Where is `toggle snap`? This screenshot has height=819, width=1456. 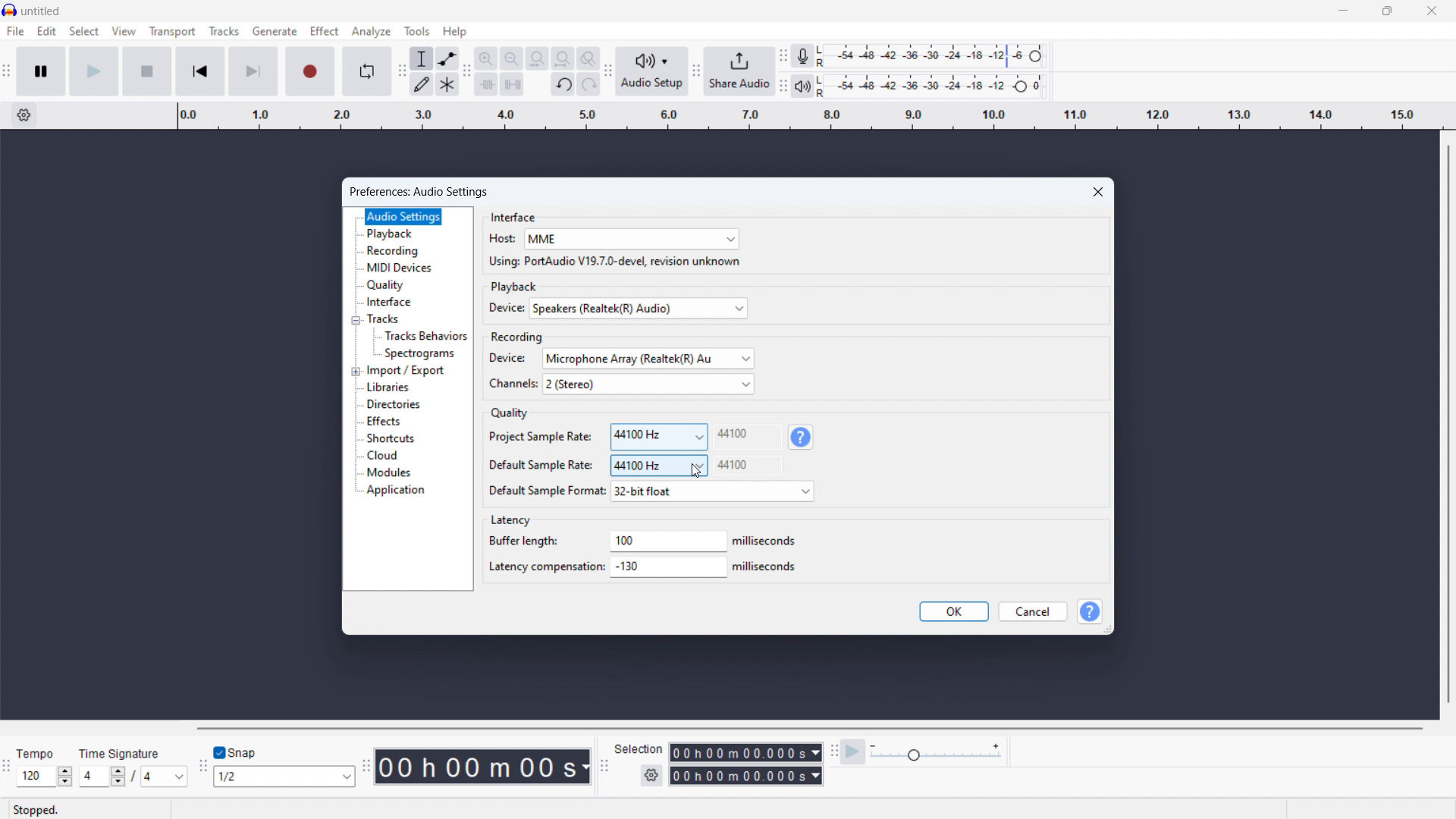
toggle snap is located at coordinates (236, 753).